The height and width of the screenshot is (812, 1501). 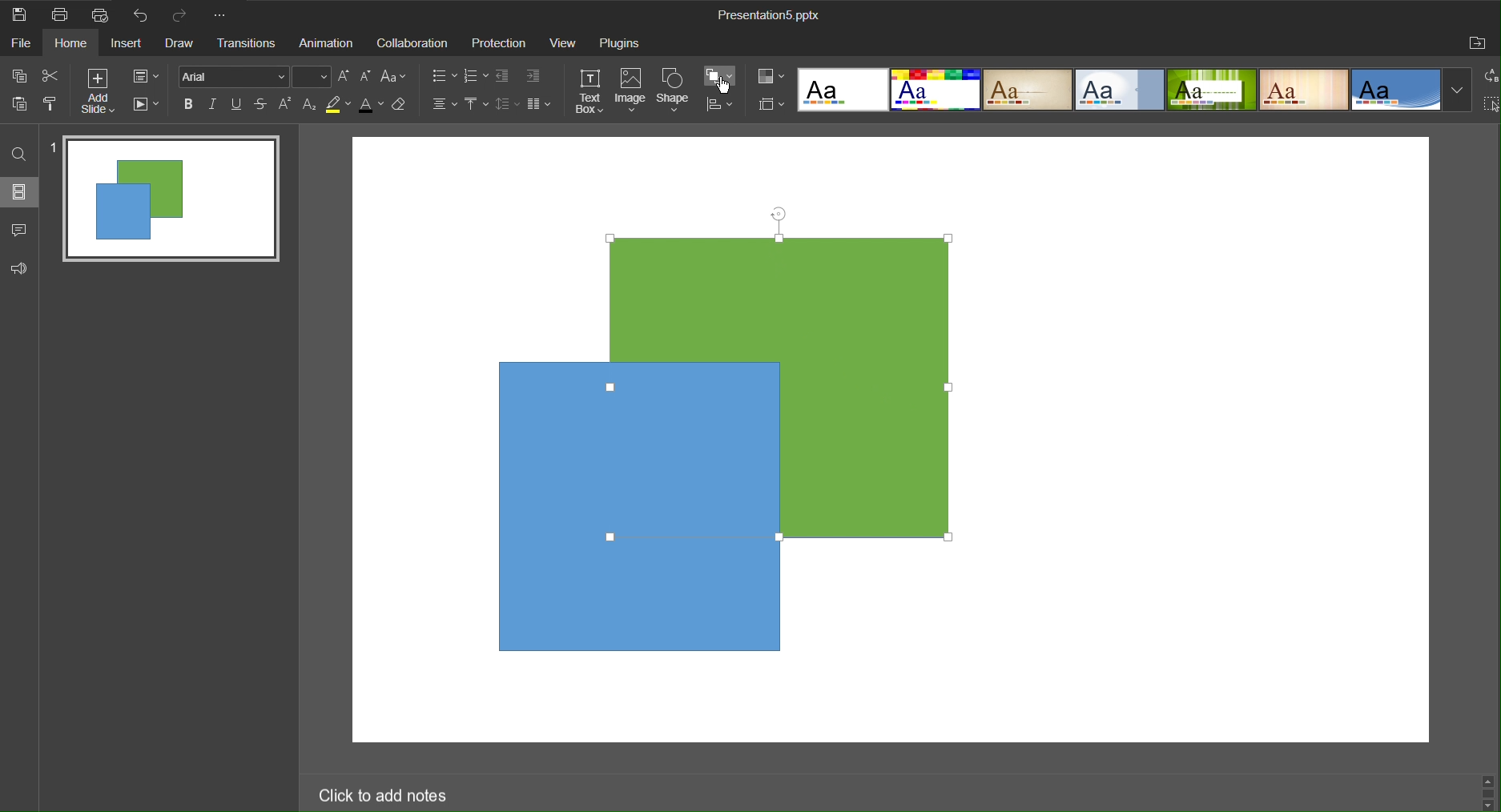 What do you see at coordinates (107, 14) in the screenshot?
I see `Quick Print` at bounding box center [107, 14].